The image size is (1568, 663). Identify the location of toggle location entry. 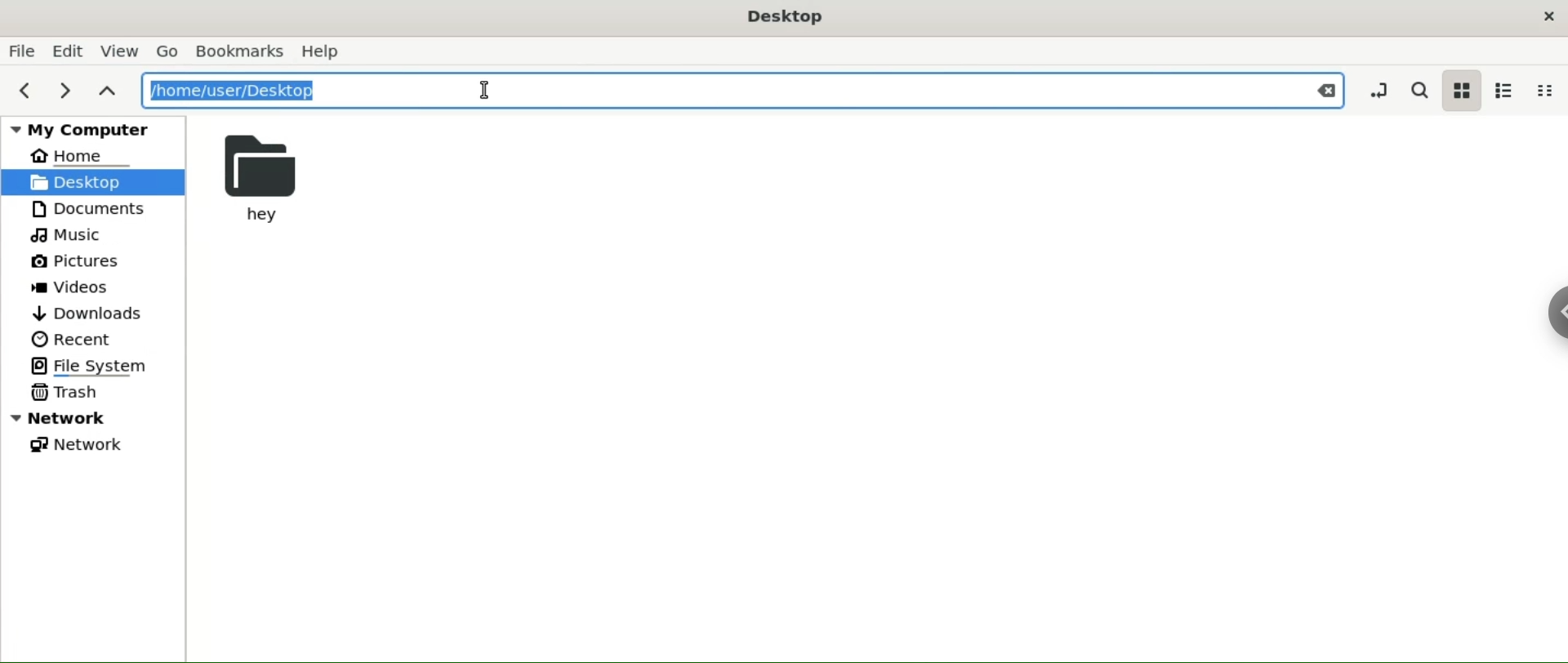
(1375, 89).